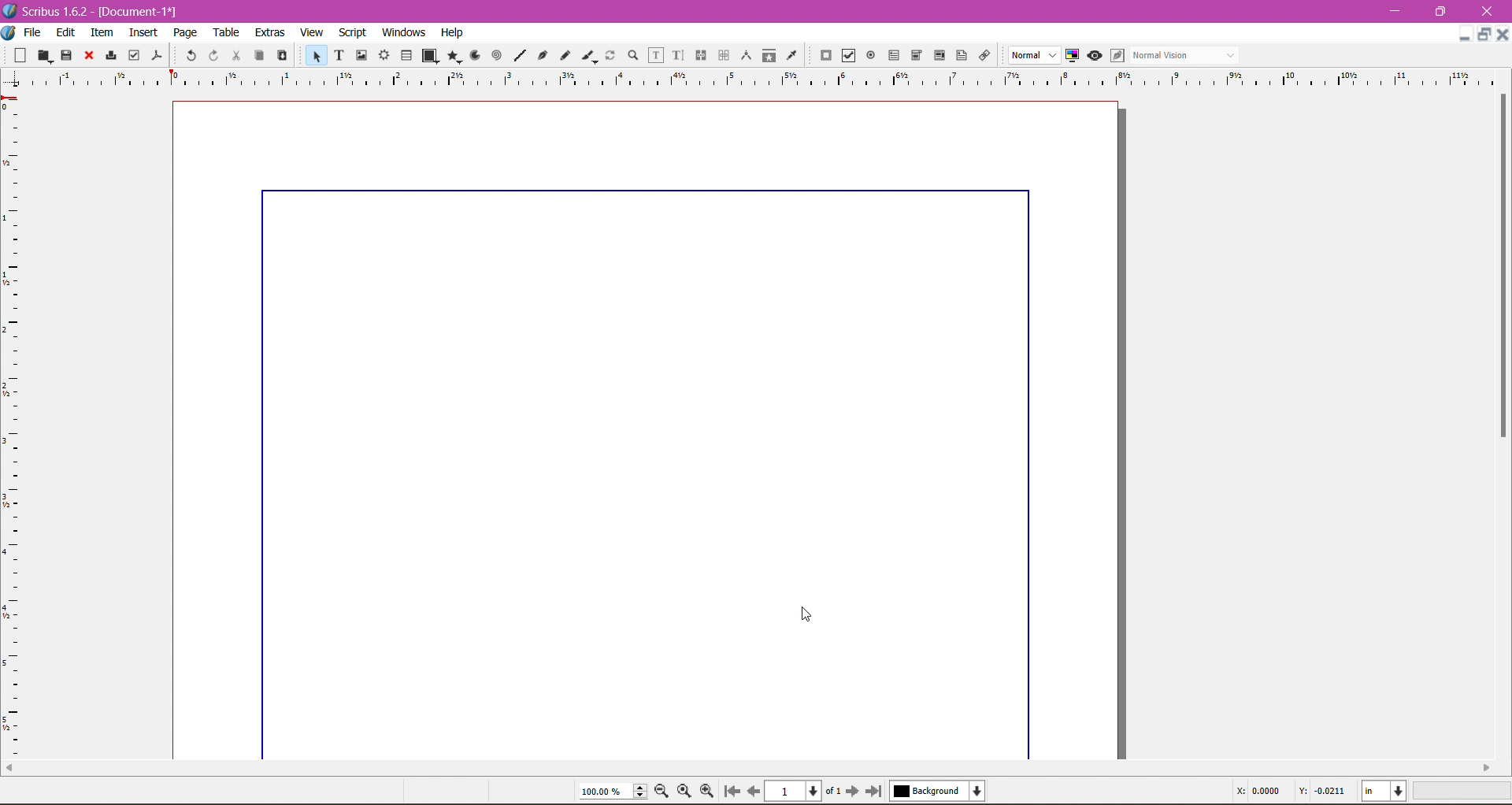  Describe the element at coordinates (587, 55) in the screenshot. I see `Calligraphic Line` at that location.